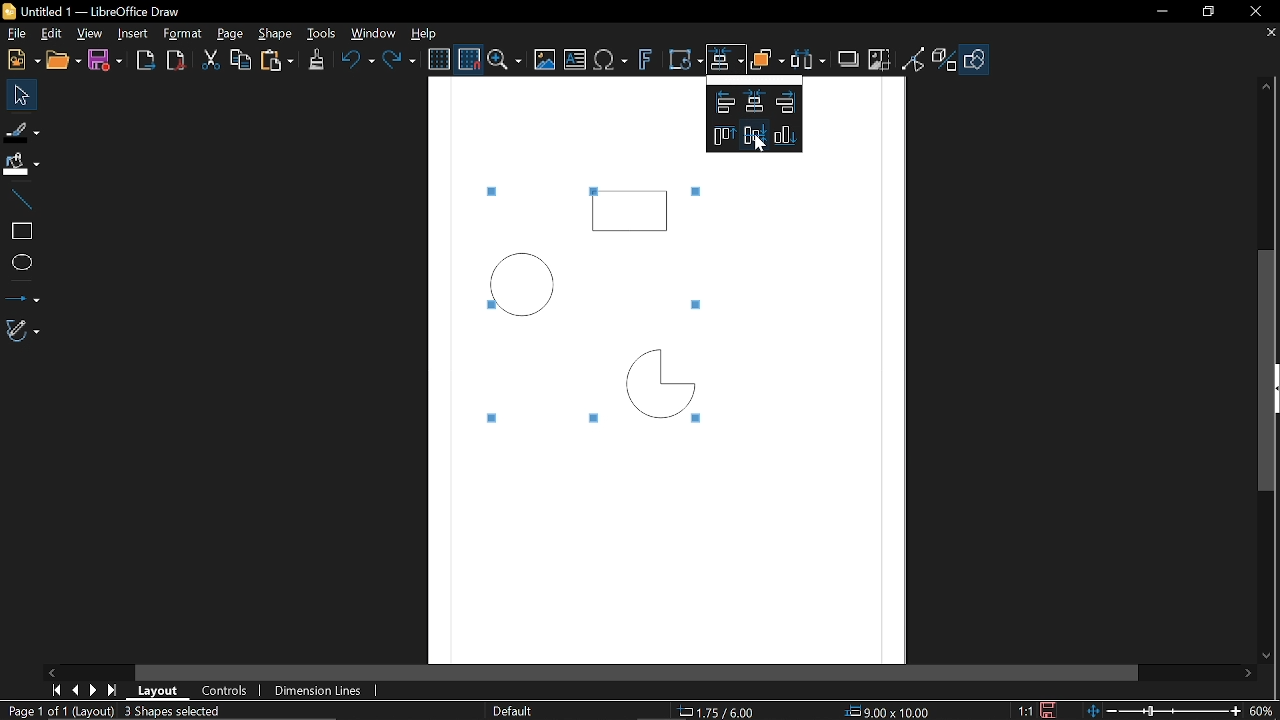 The width and height of the screenshot is (1280, 720). I want to click on Tiny square marked around the selected objects, so click(702, 425).